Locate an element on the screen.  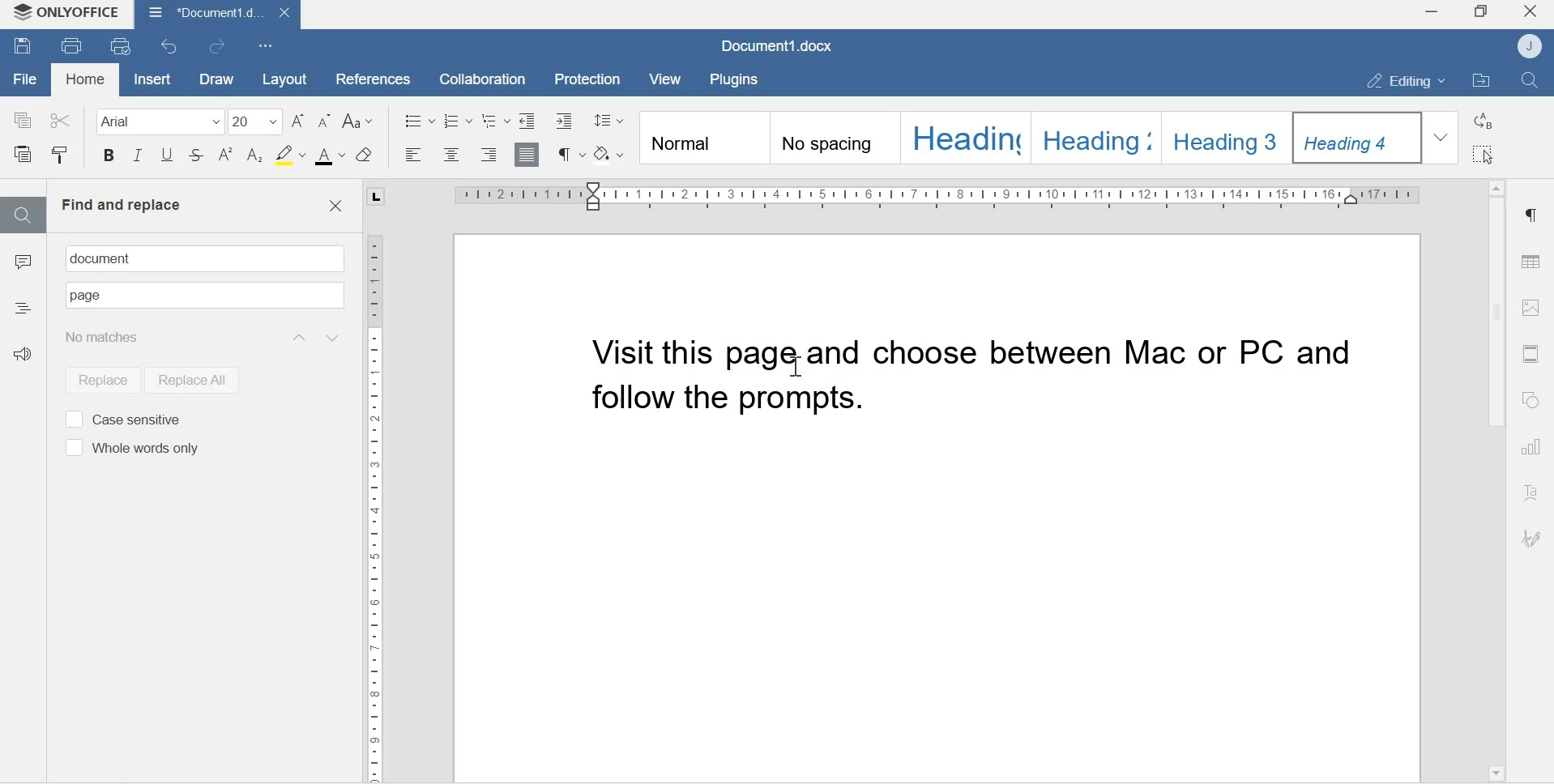
Layout is located at coordinates (283, 79).